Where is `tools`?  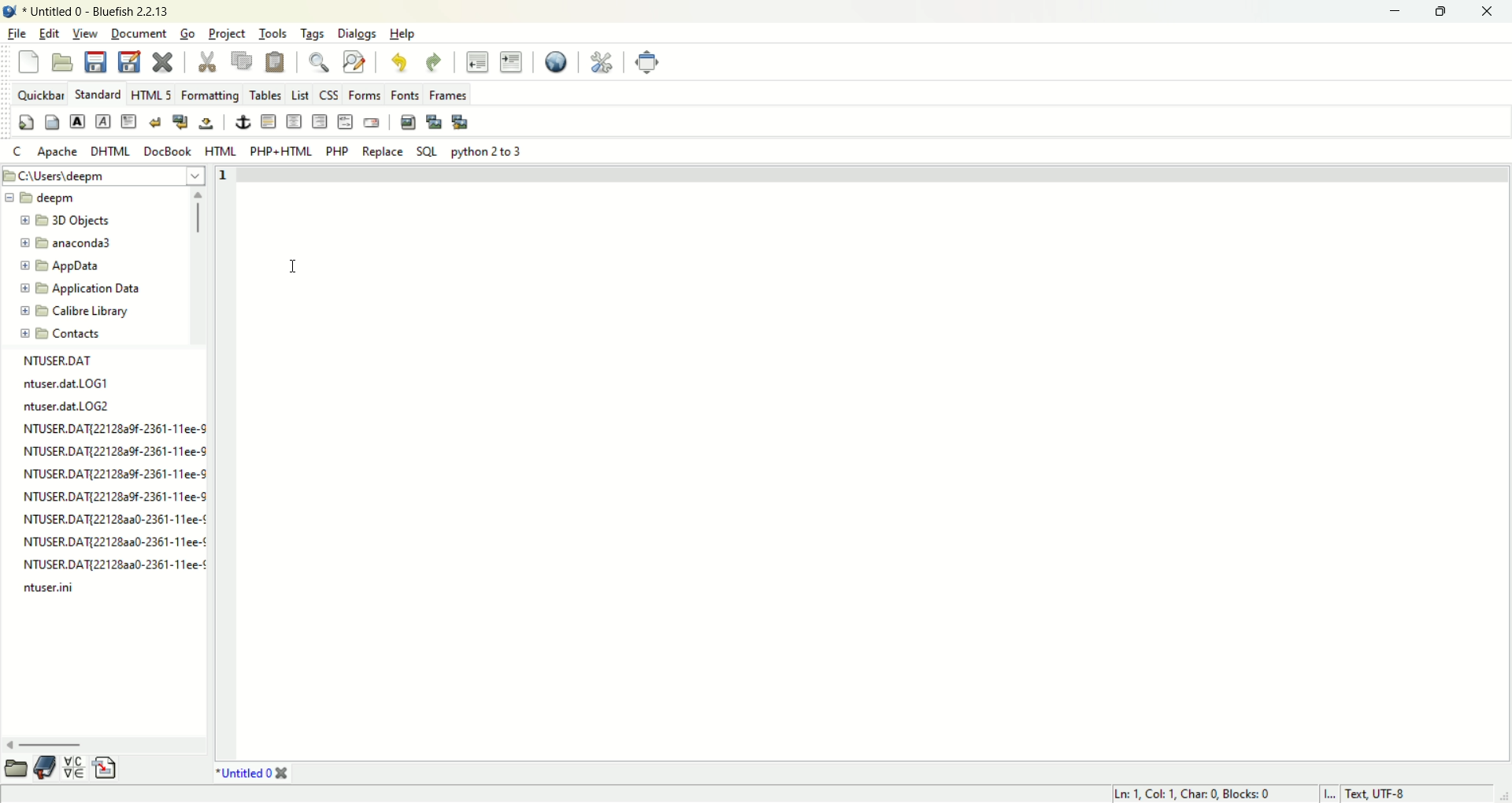
tools is located at coordinates (275, 34).